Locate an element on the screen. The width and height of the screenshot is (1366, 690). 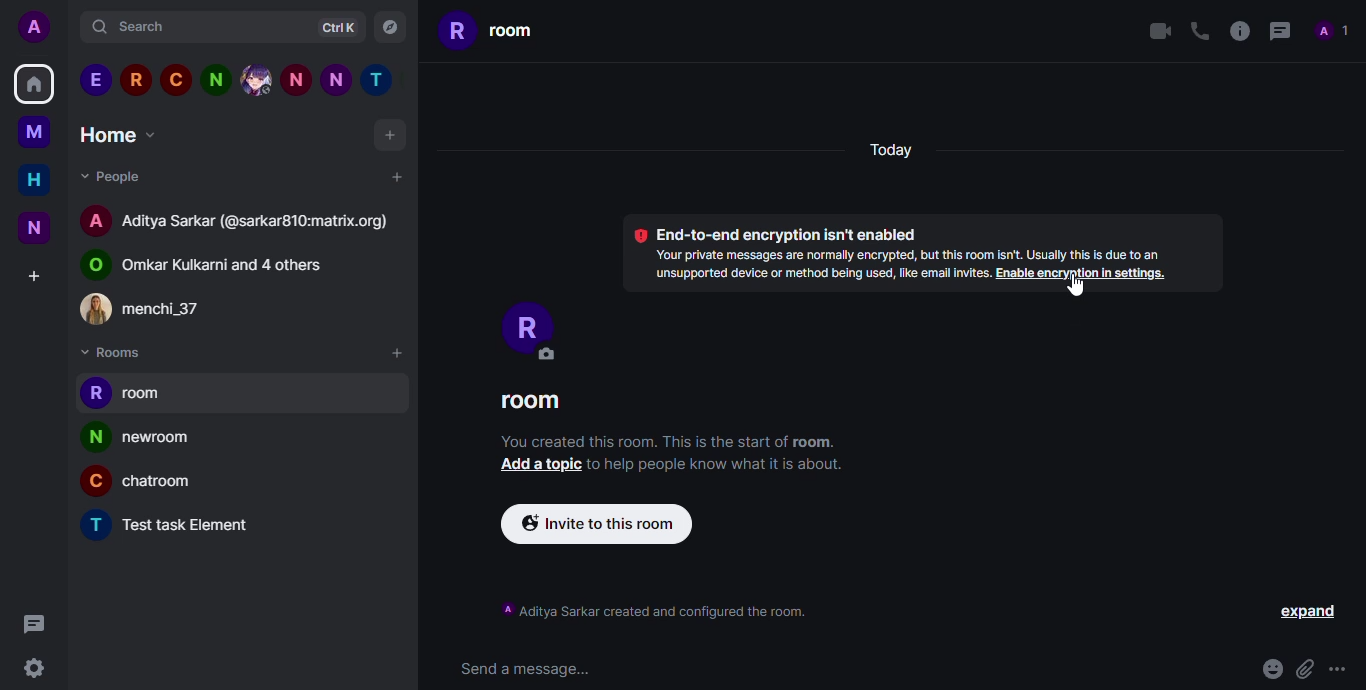
profile is located at coordinates (92, 484).